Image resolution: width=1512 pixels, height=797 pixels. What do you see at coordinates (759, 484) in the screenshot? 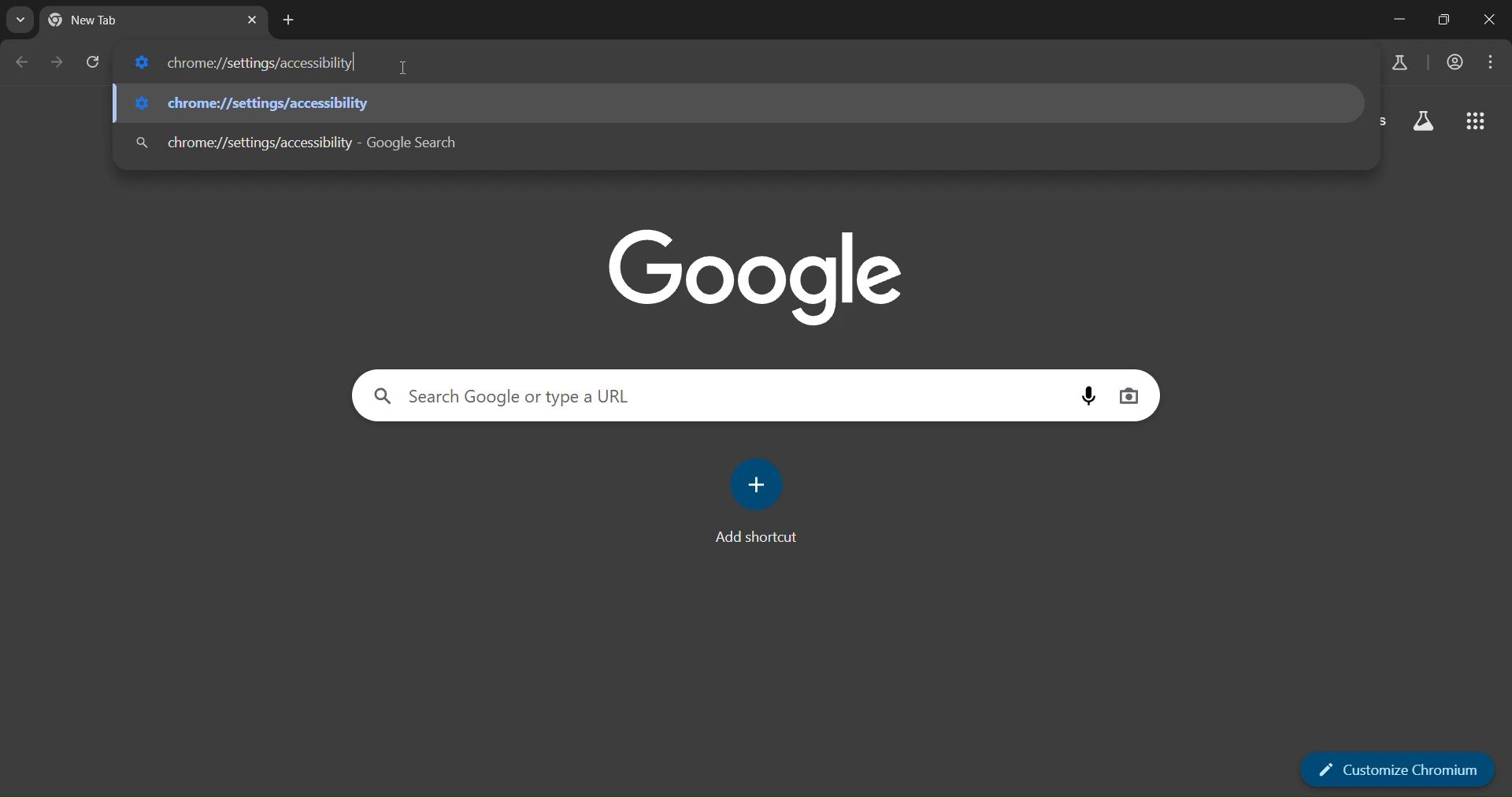
I see `add` at bounding box center [759, 484].